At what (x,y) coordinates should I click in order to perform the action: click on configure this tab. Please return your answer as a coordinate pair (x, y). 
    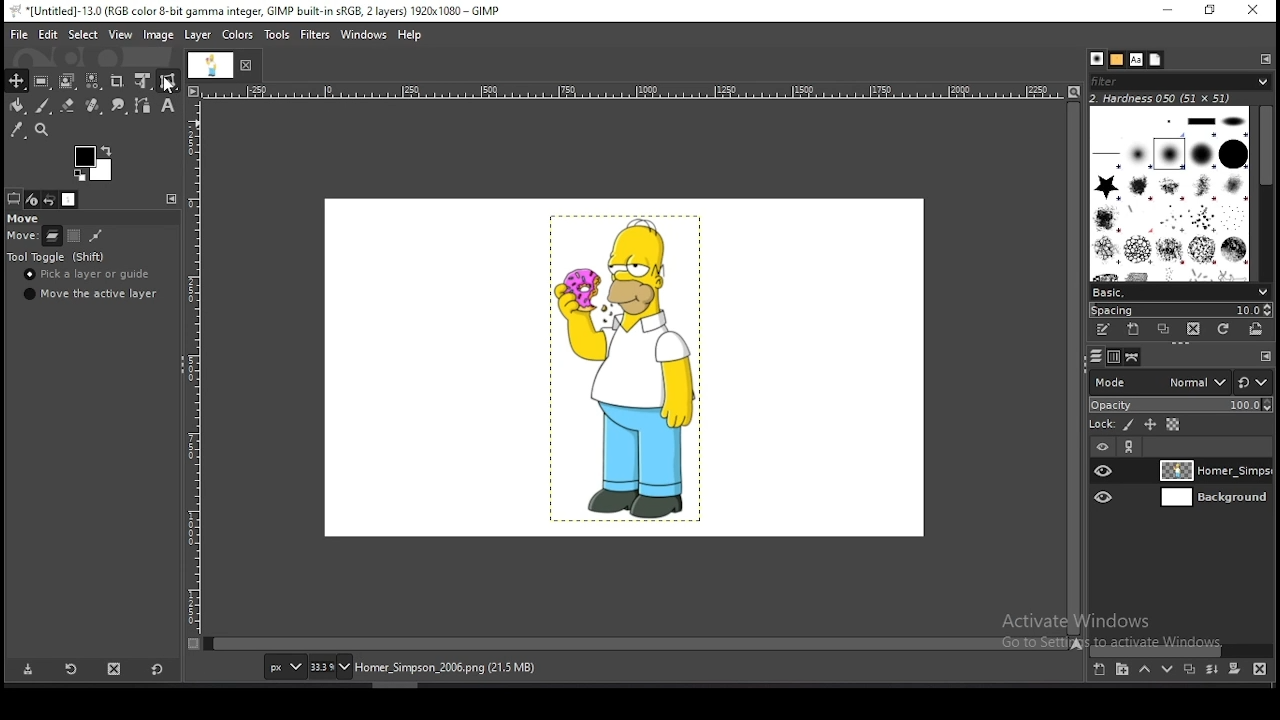
    Looking at the image, I should click on (173, 199).